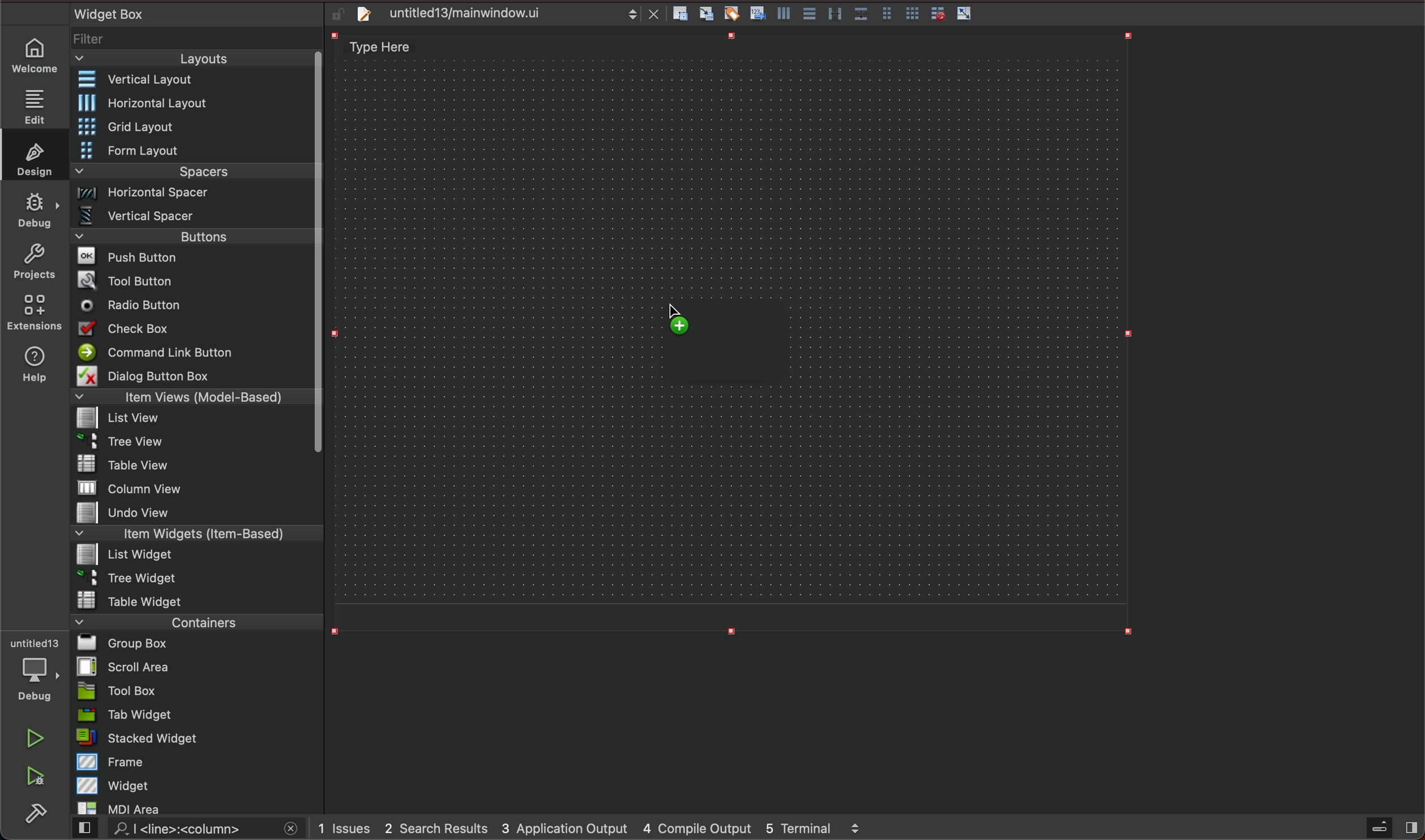 This screenshot has width=1425, height=840. Describe the element at coordinates (192, 216) in the screenshot. I see `vertical spacer` at that location.